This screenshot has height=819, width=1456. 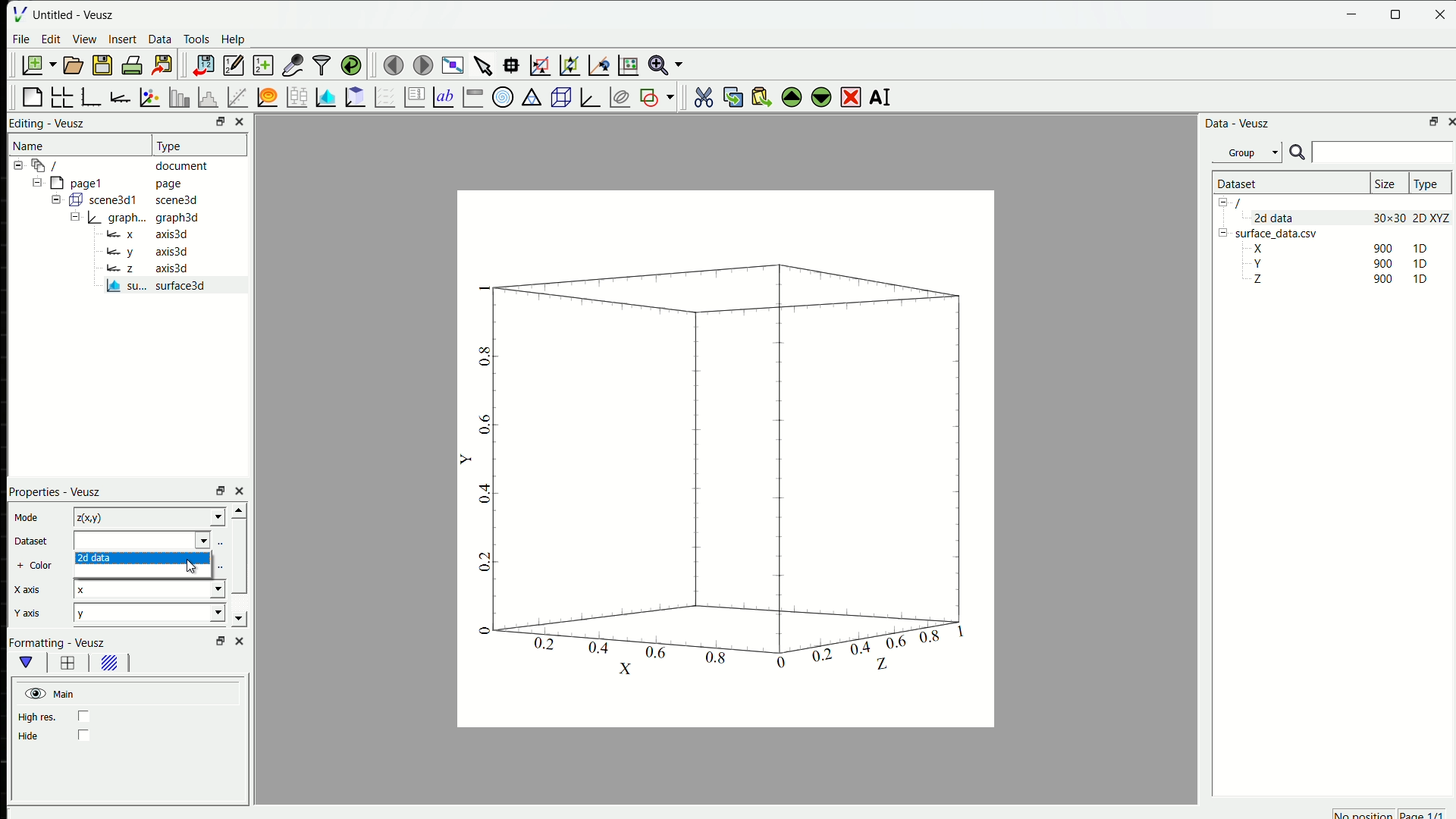 I want to click on move to the previous page, so click(x=394, y=64).